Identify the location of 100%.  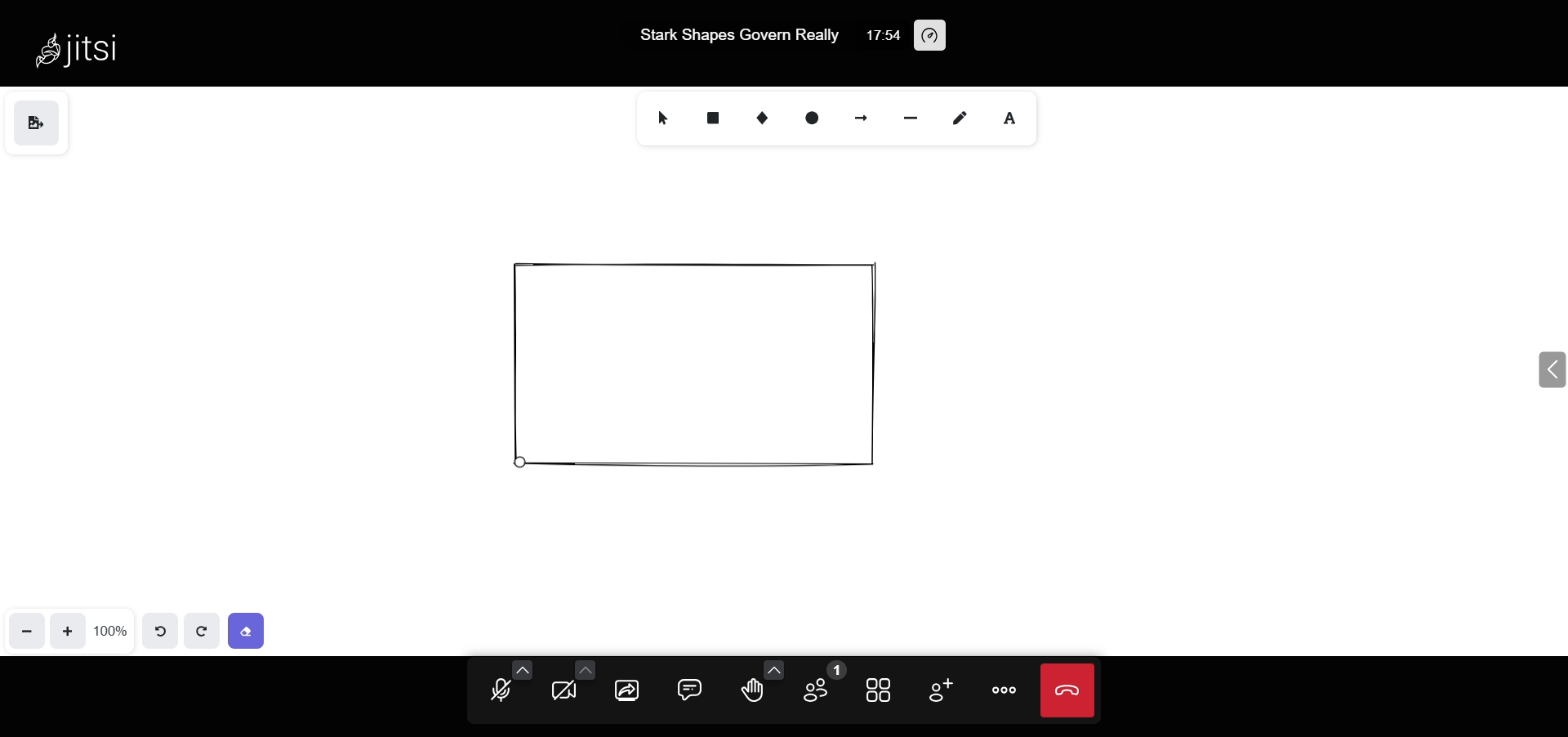
(111, 629).